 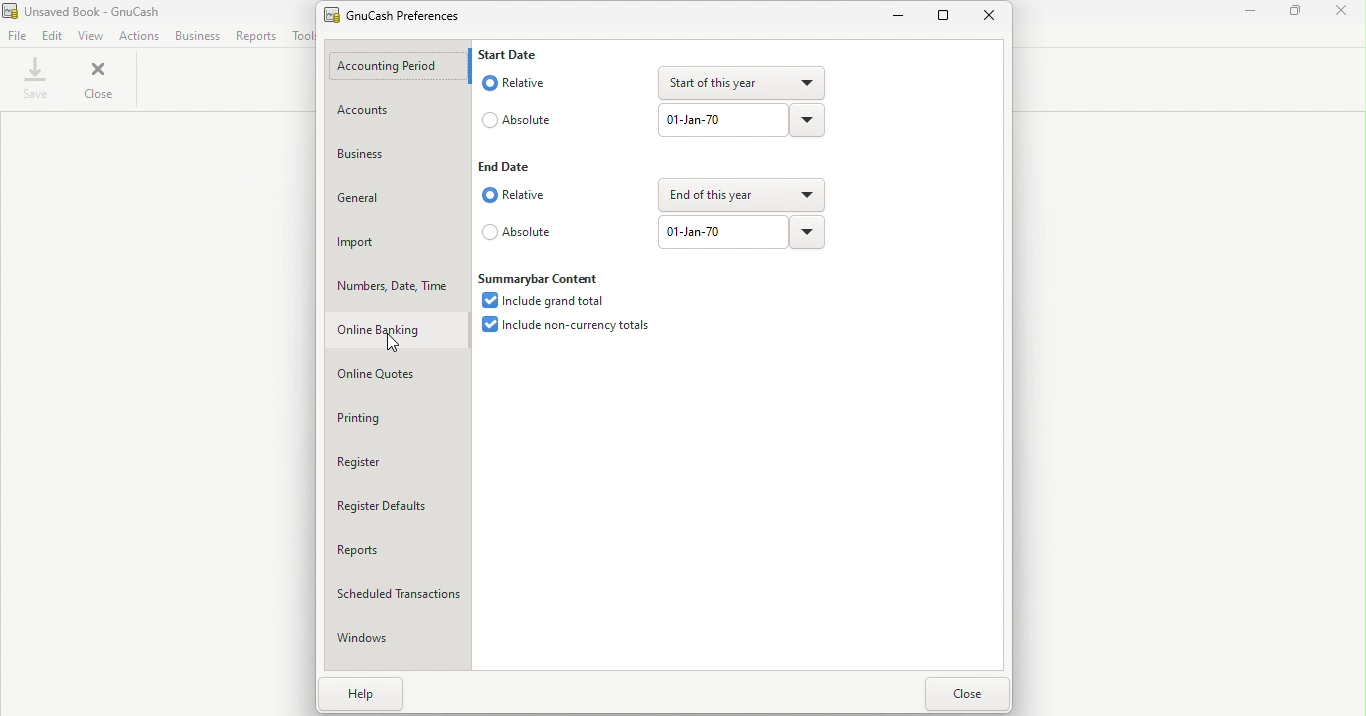 What do you see at coordinates (89, 34) in the screenshot?
I see `View` at bounding box center [89, 34].